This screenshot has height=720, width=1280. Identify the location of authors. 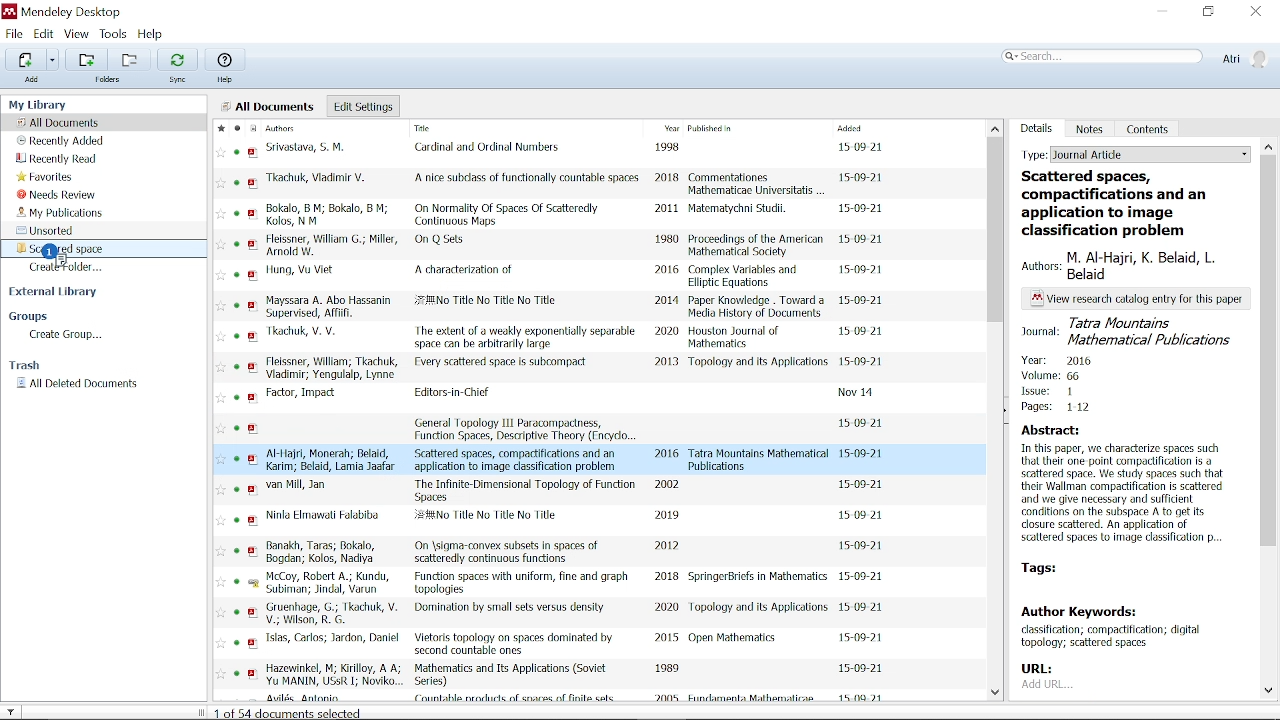
(333, 638).